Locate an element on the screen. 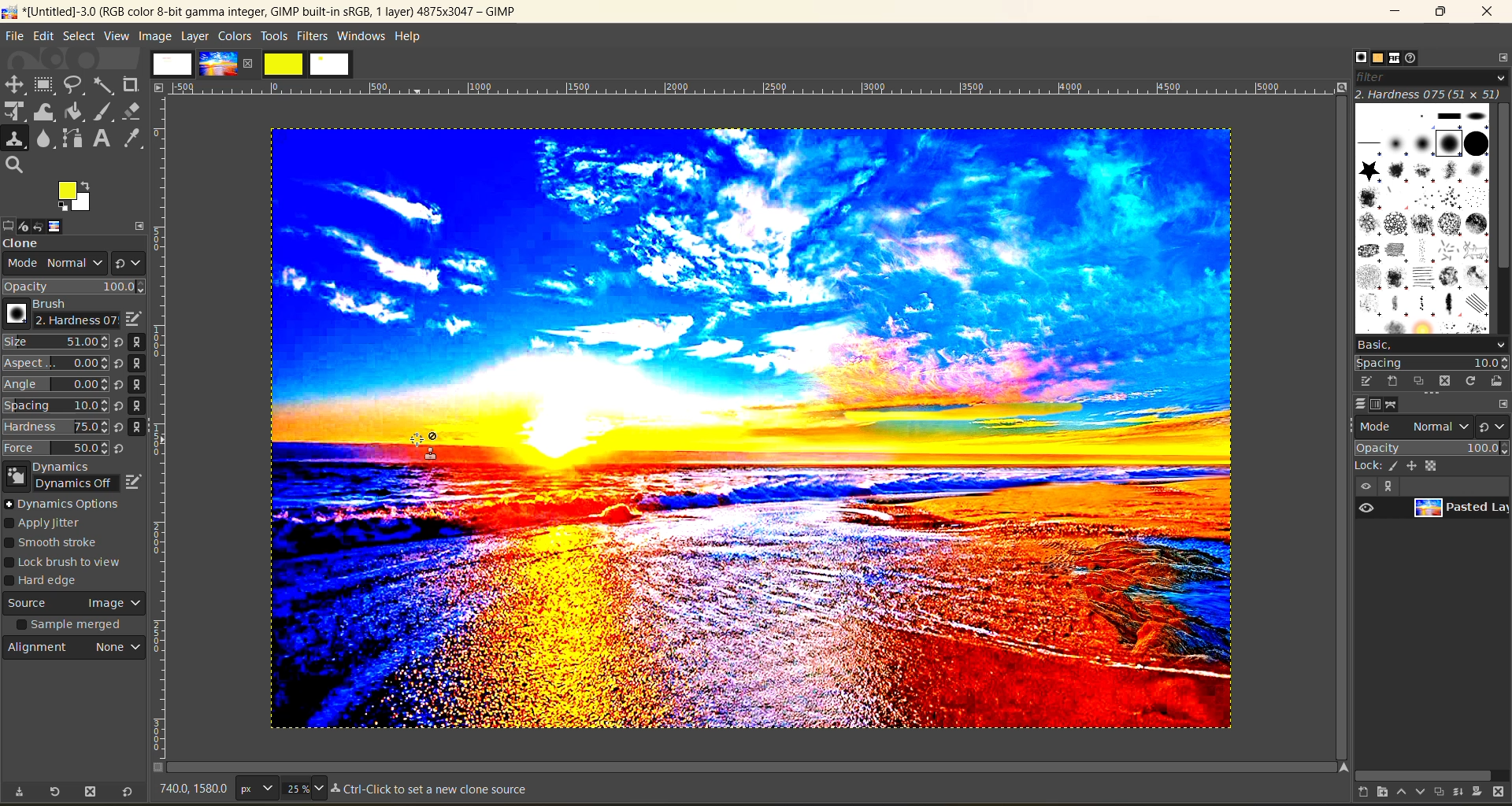 The height and width of the screenshot is (806, 1512). fuzzy text is located at coordinates (105, 84).